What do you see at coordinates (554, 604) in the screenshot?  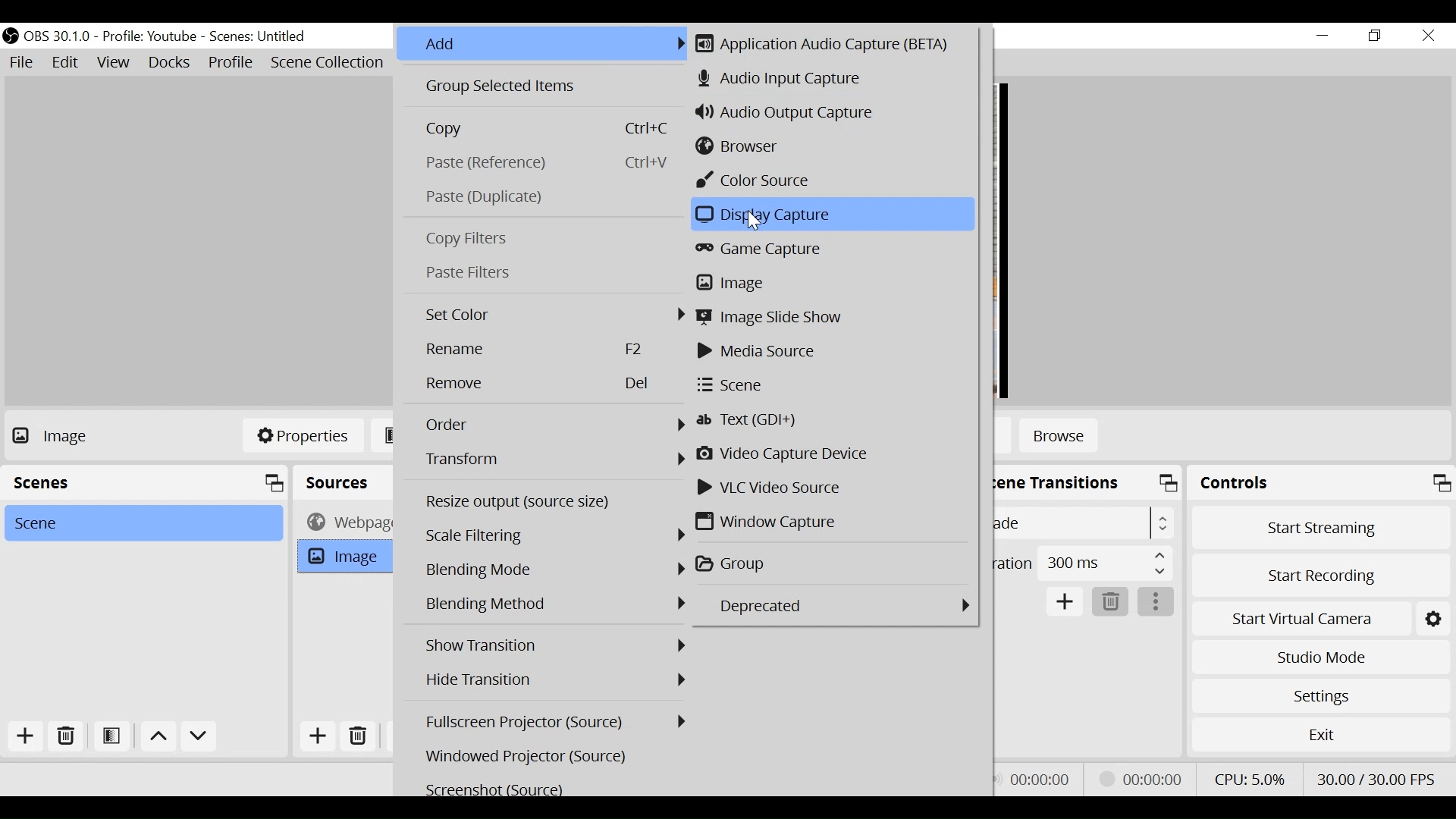 I see `Blending Mode` at bounding box center [554, 604].